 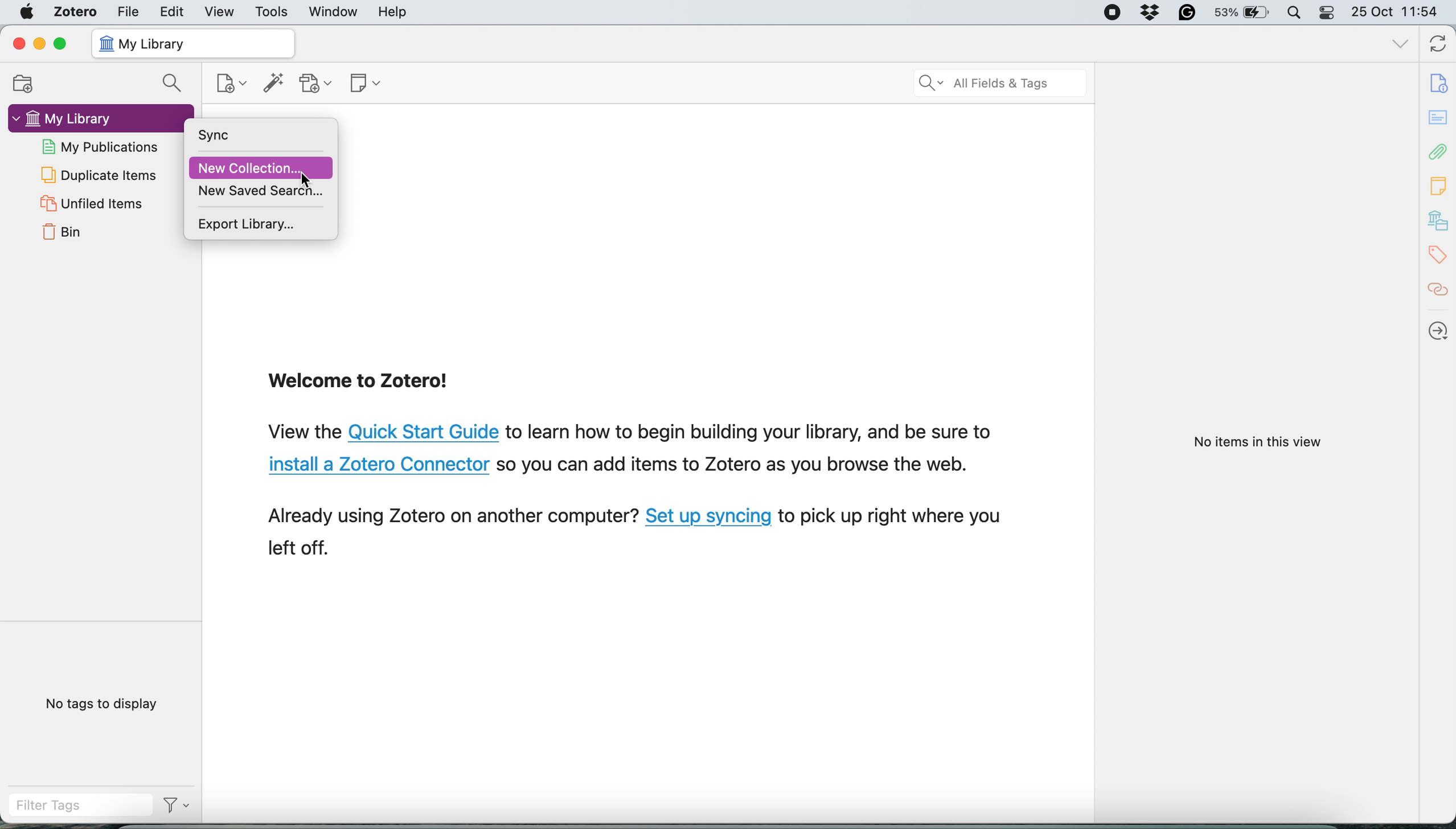 I want to click on sync with zotero.org, so click(x=1436, y=46).